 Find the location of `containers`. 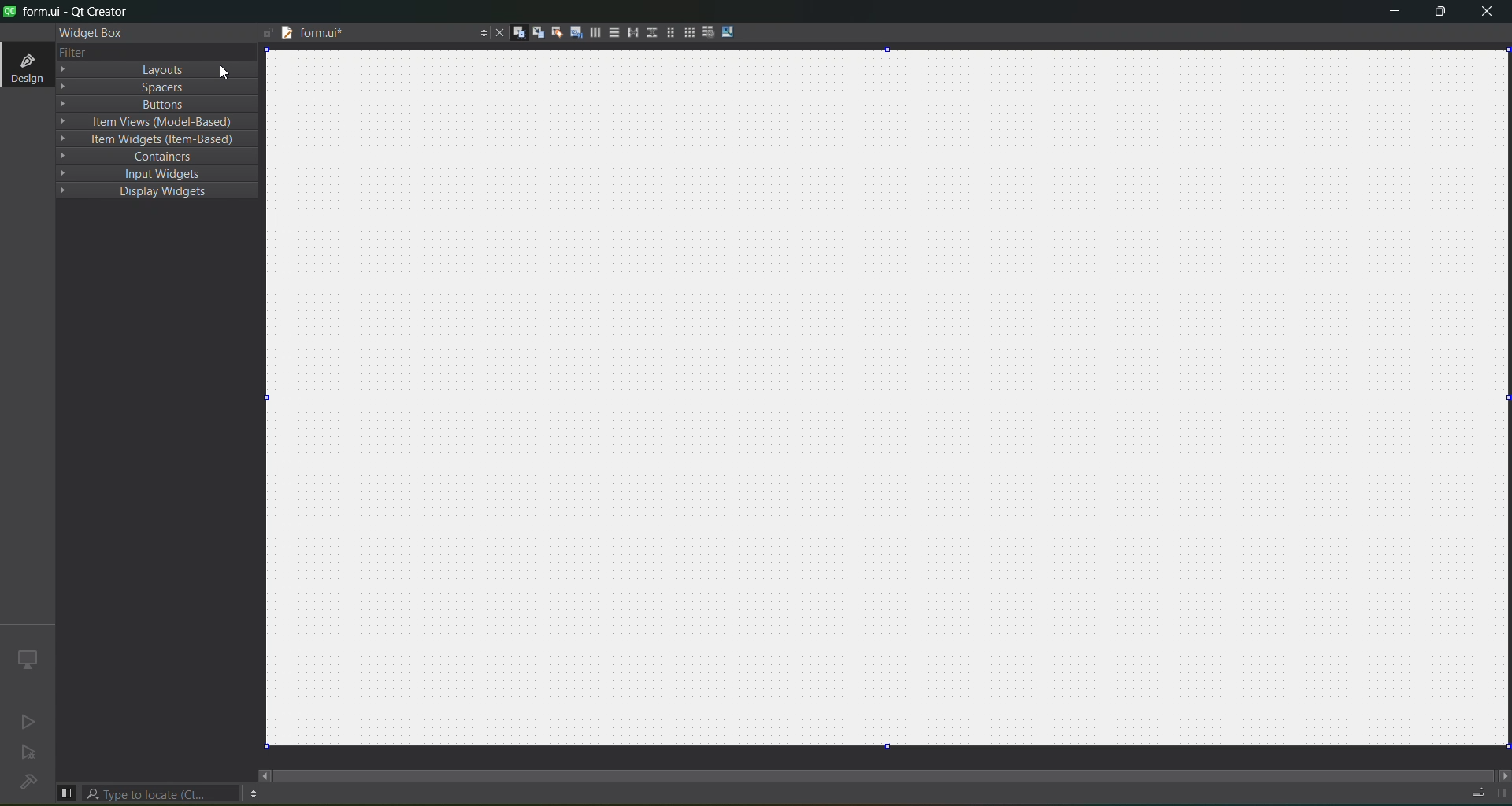

containers is located at coordinates (160, 156).